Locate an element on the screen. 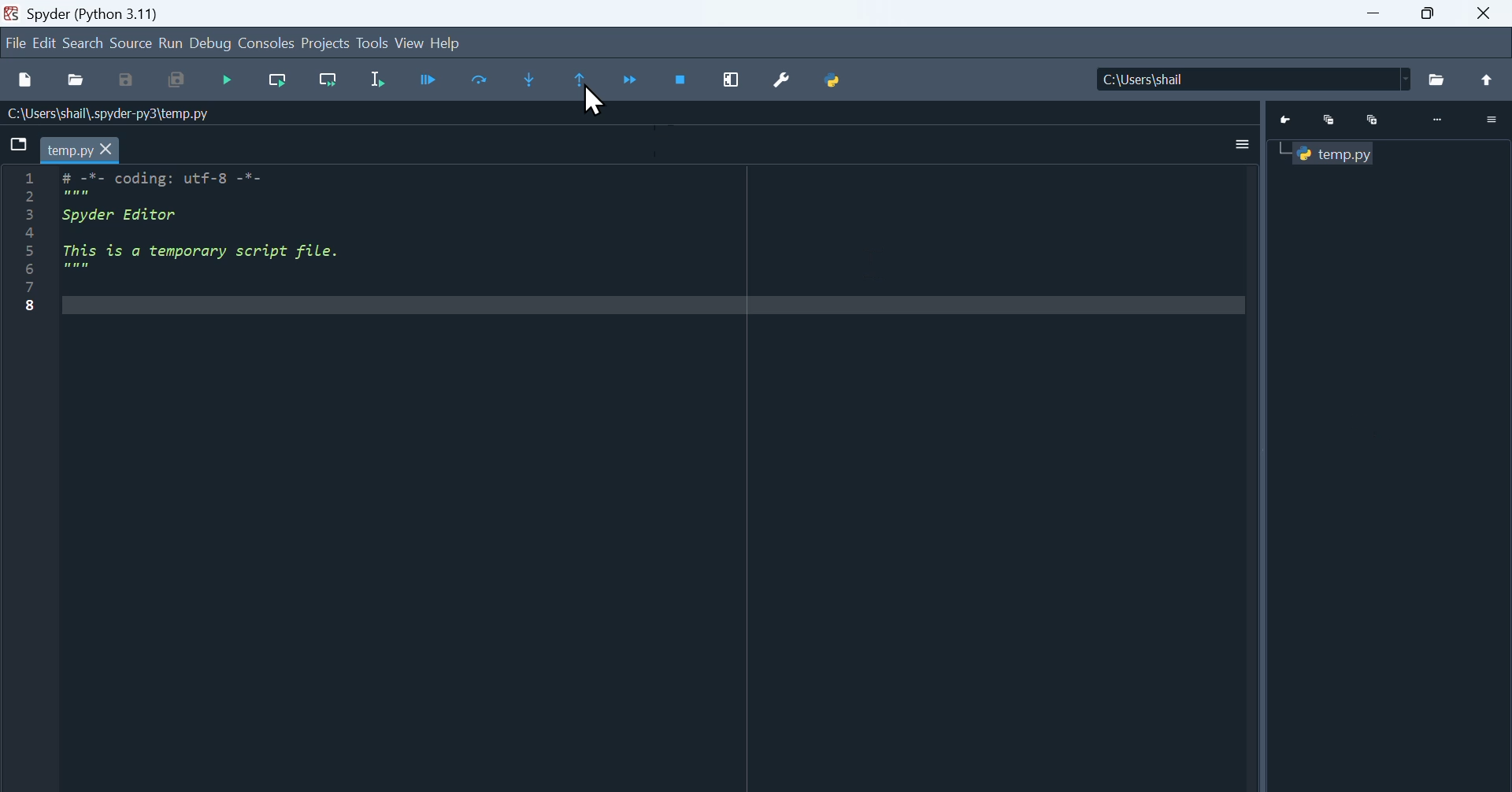 The image size is (1512, 792). C:\Users\shail\.spyder-py3\temp.py is located at coordinates (129, 113).